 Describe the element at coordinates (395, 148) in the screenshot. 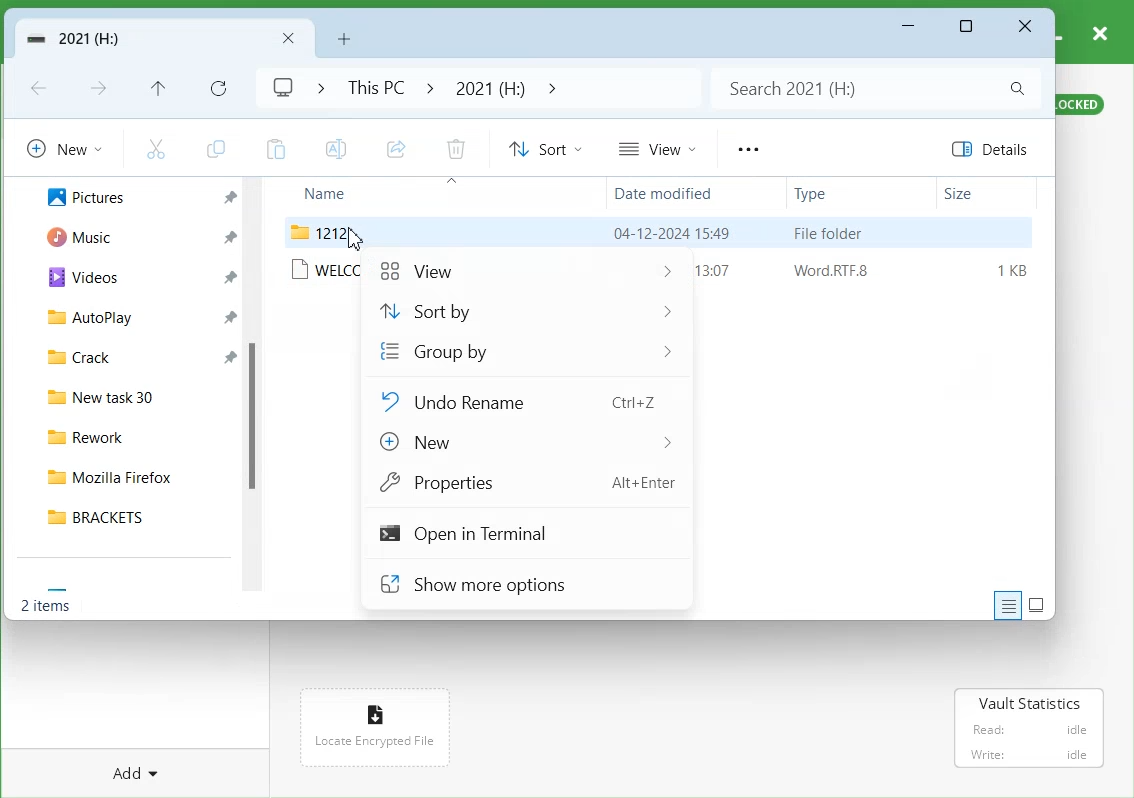

I see `Share` at that location.